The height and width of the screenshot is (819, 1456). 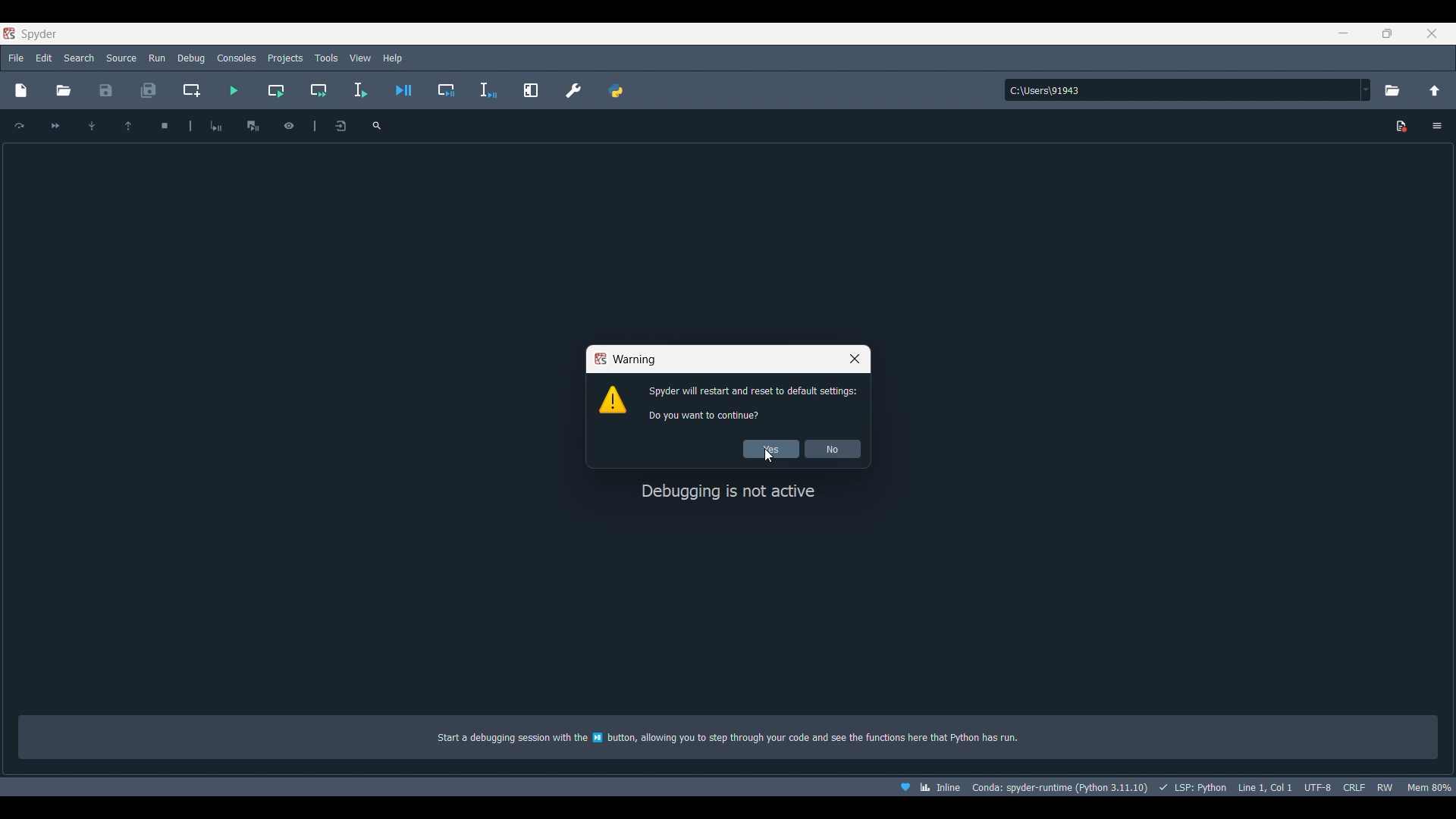 I want to click on Location options, so click(x=1367, y=89).